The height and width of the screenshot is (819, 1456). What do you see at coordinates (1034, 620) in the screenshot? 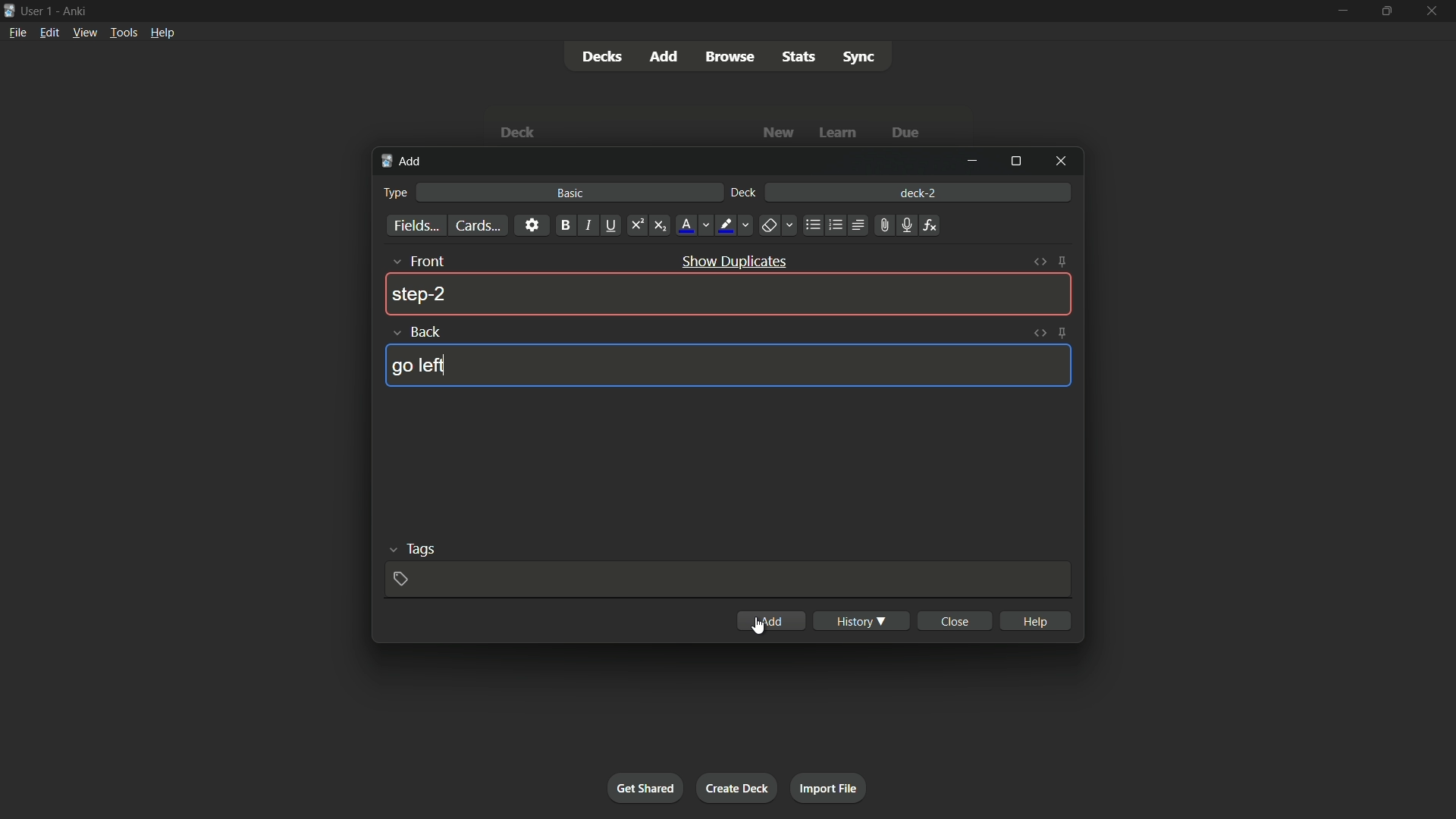
I see `help` at bounding box center [1034, 620].